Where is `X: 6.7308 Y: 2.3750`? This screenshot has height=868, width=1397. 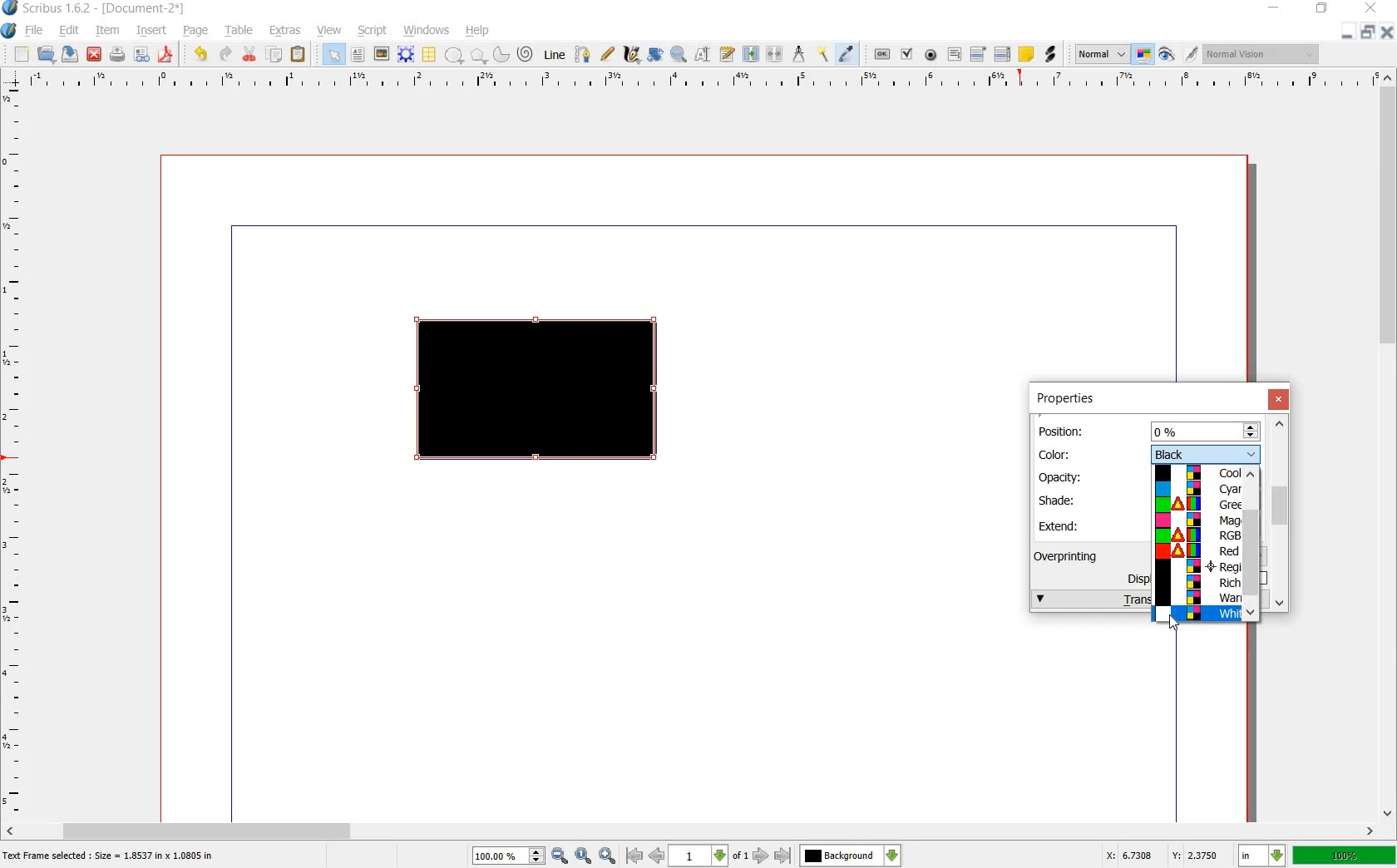 X: 6.7308 Y: 2.3750 is located at coordinates (1162, 855).